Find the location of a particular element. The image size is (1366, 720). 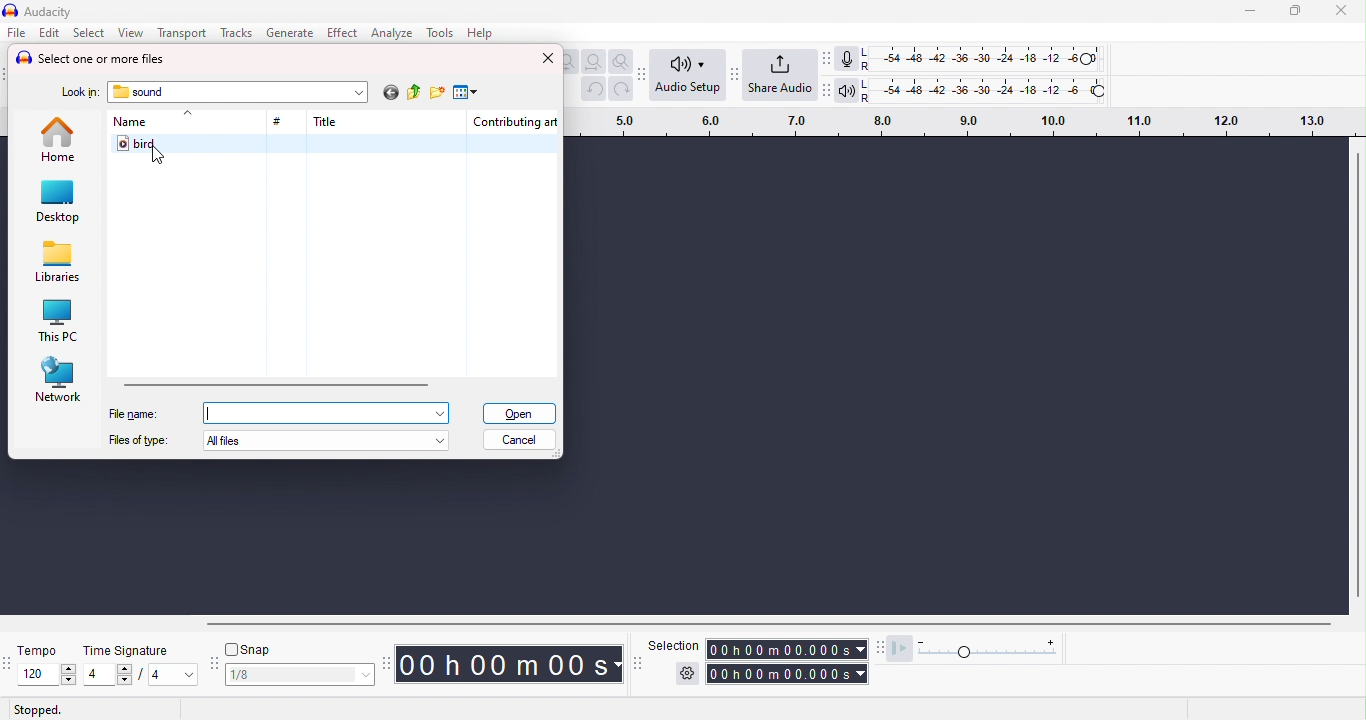

this PC is located at coordinates (57, 322).